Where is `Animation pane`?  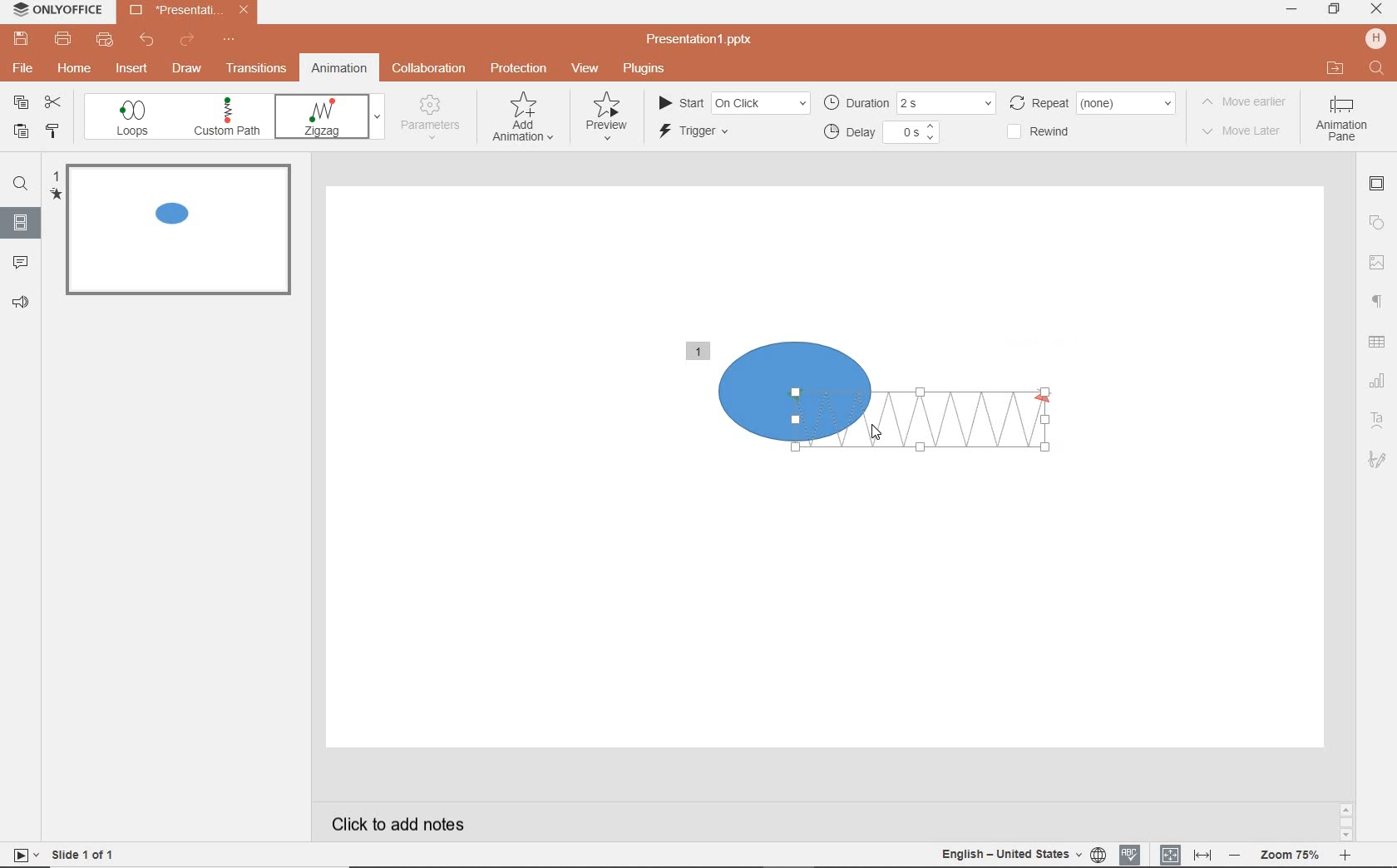 Animation pane is located at coordinates (1341, 121).